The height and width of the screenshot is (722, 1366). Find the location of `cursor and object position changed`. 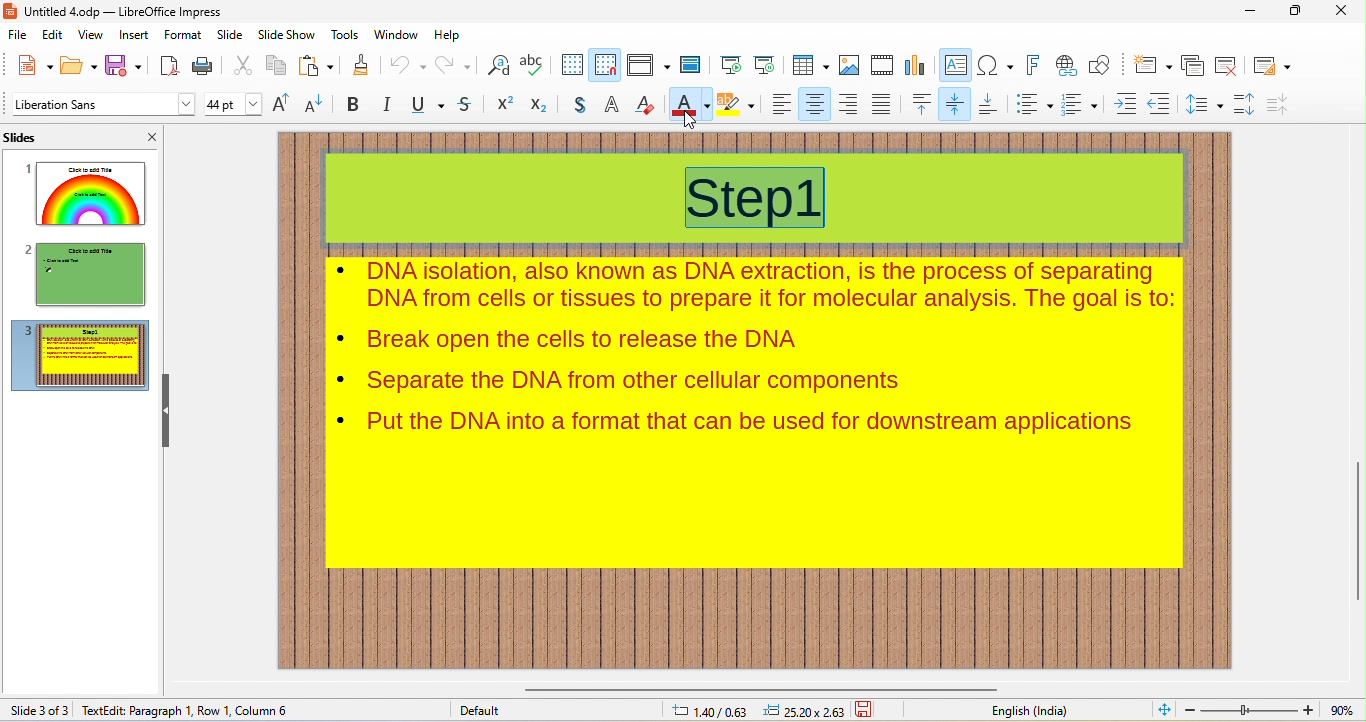

cursor and object position changed is located at coordinates (758, 711).